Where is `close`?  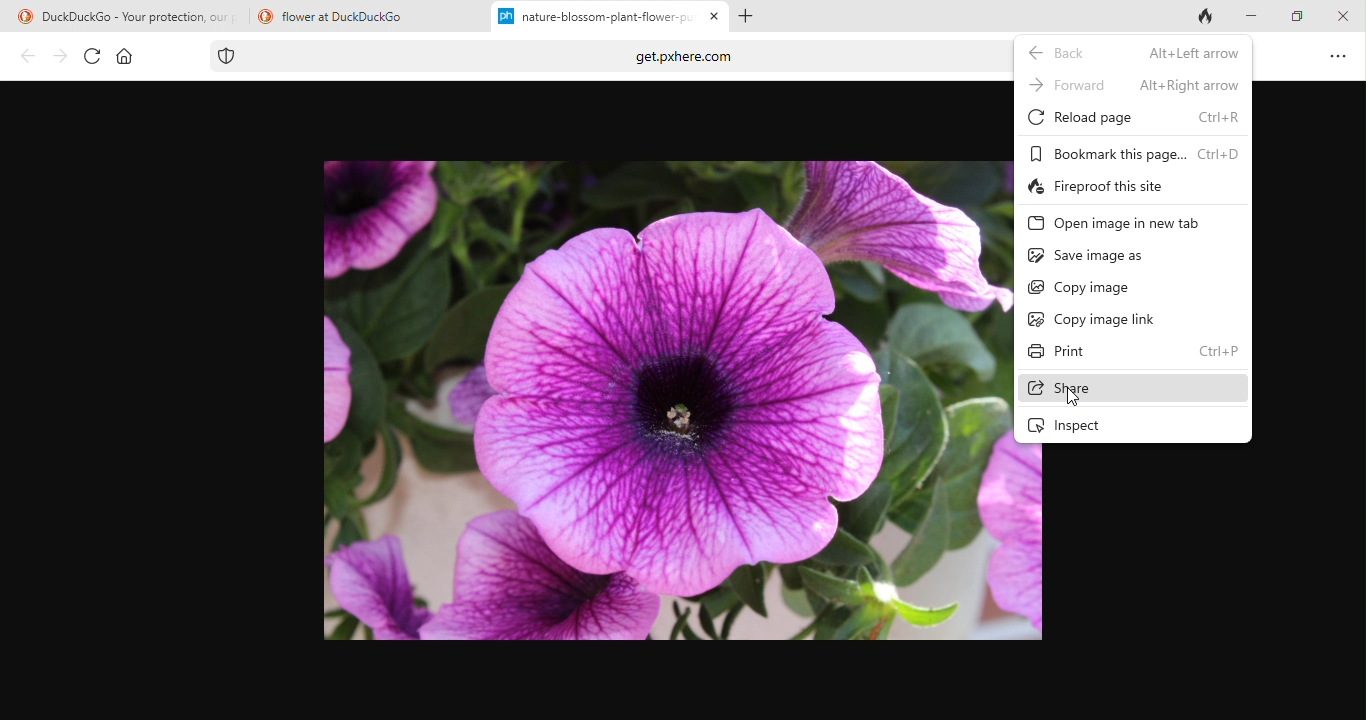
close is located at coordinates (1338, 15).